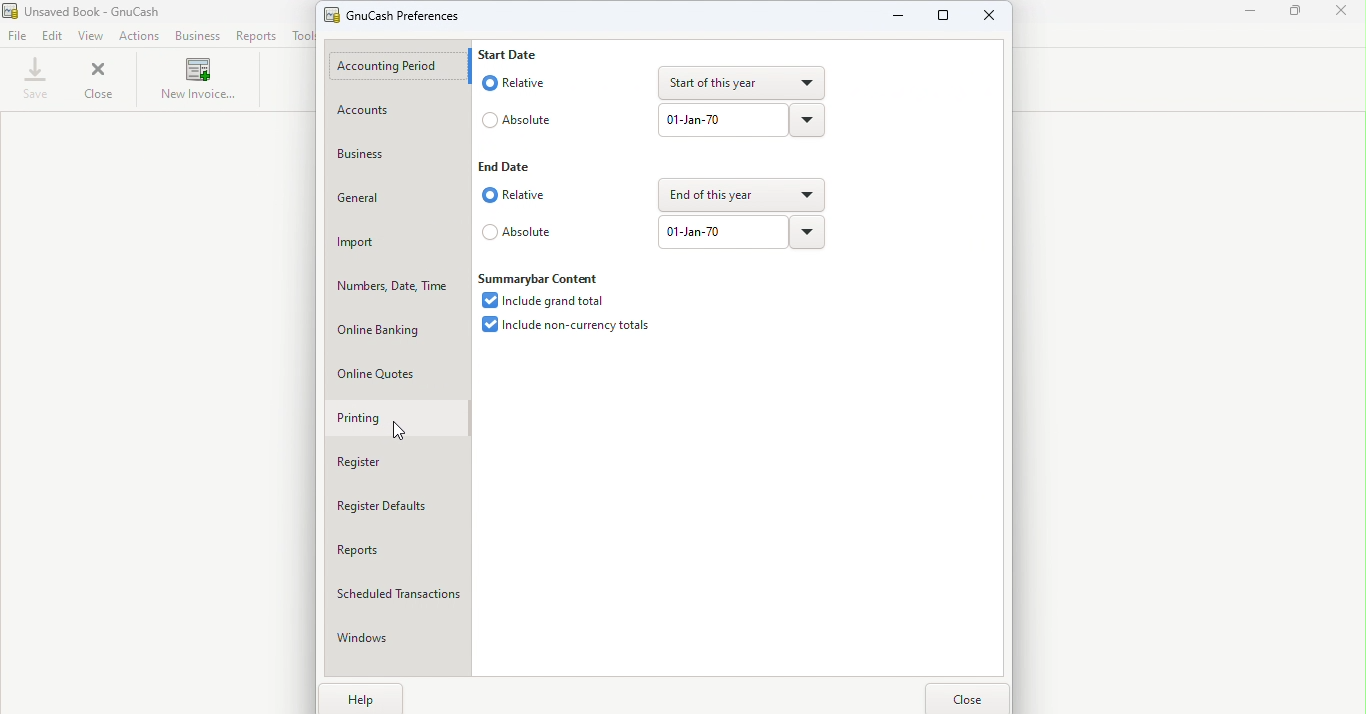 The height and width of the screenshot is (714, 1366). Describe the element at coordinates (572, 325) in the screenshot. I see `Include non-currency totals` at that location.